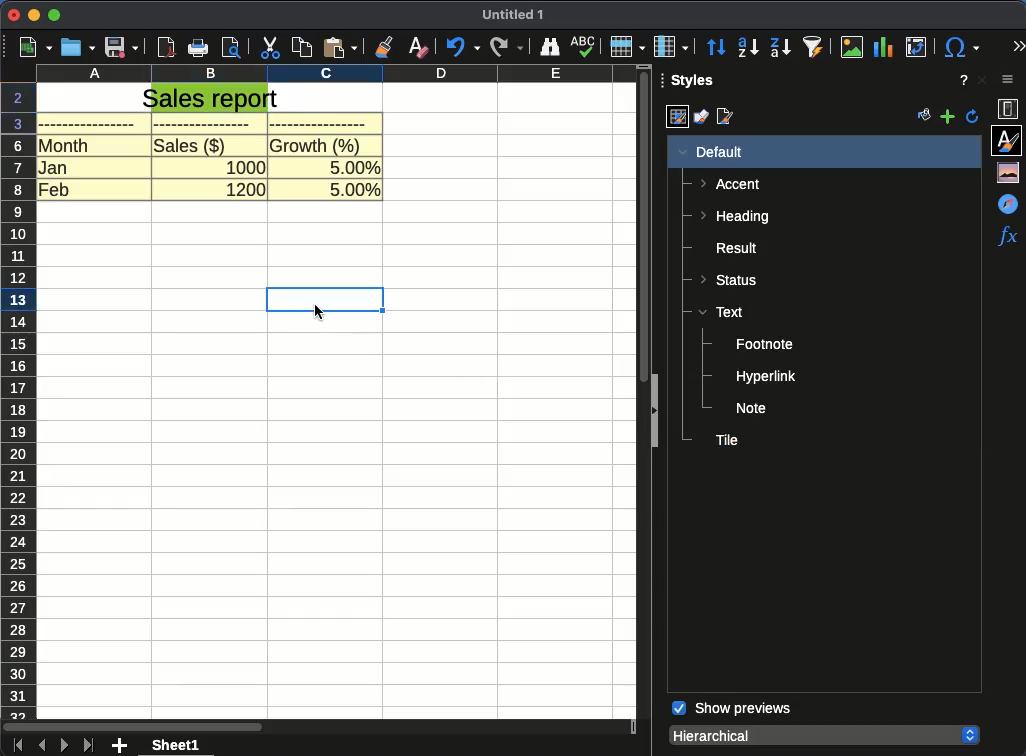  Describe the element at coordinates (13, 16) in the screenshot. I see `close` at that location.